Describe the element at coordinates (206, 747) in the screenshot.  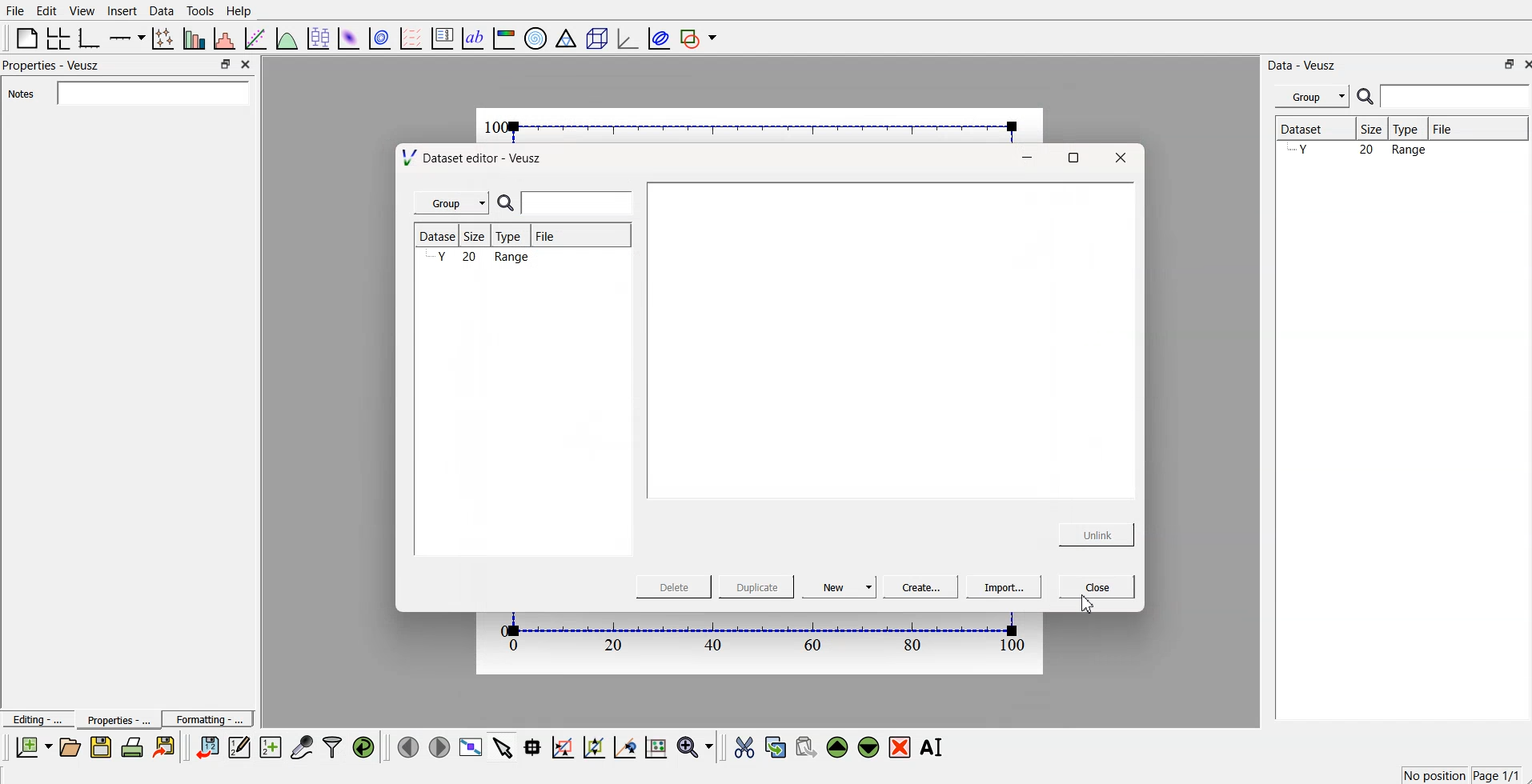
I see `Enter dataset into Veusz` at that location.